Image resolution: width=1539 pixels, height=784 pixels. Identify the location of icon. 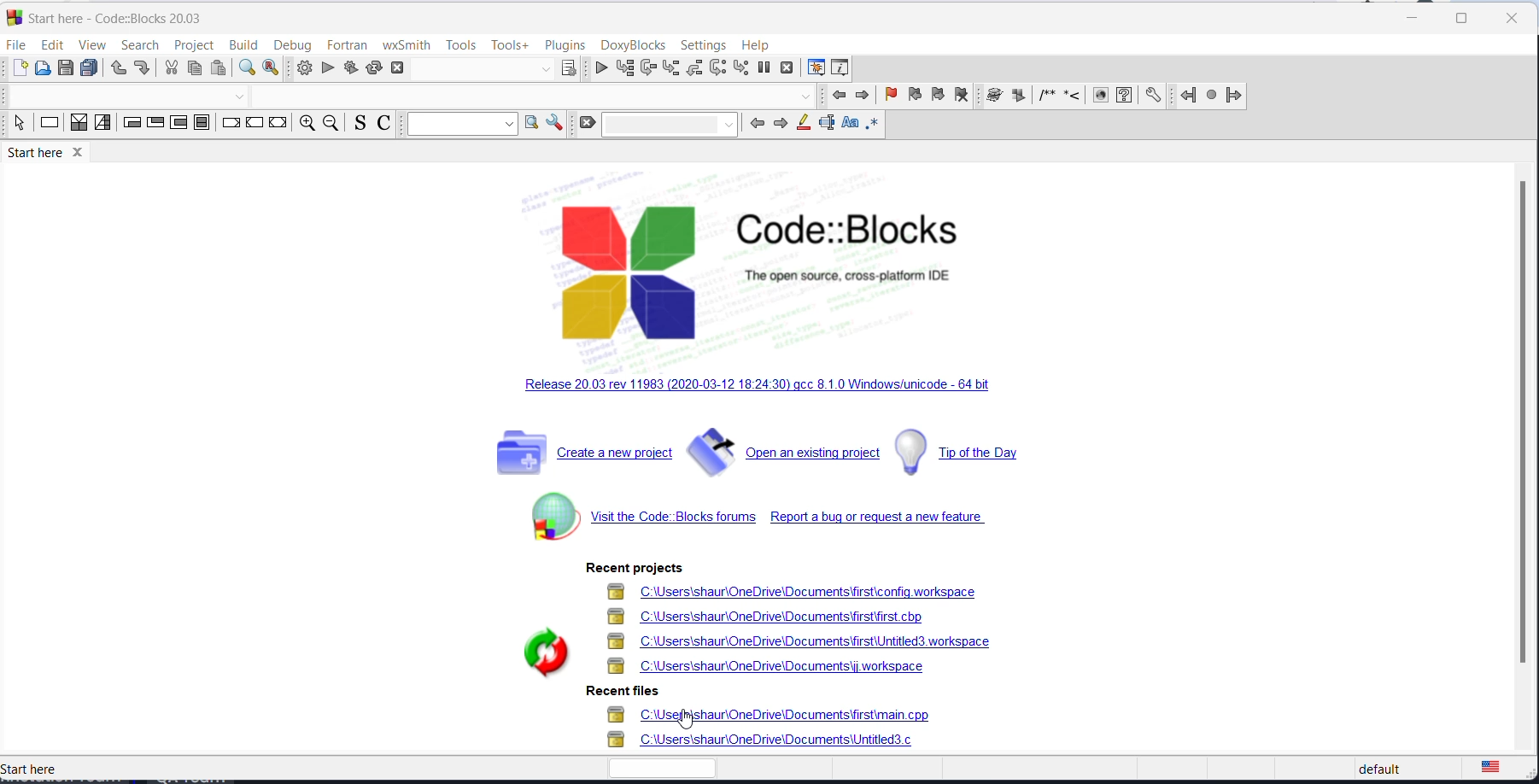
(1041, 97).